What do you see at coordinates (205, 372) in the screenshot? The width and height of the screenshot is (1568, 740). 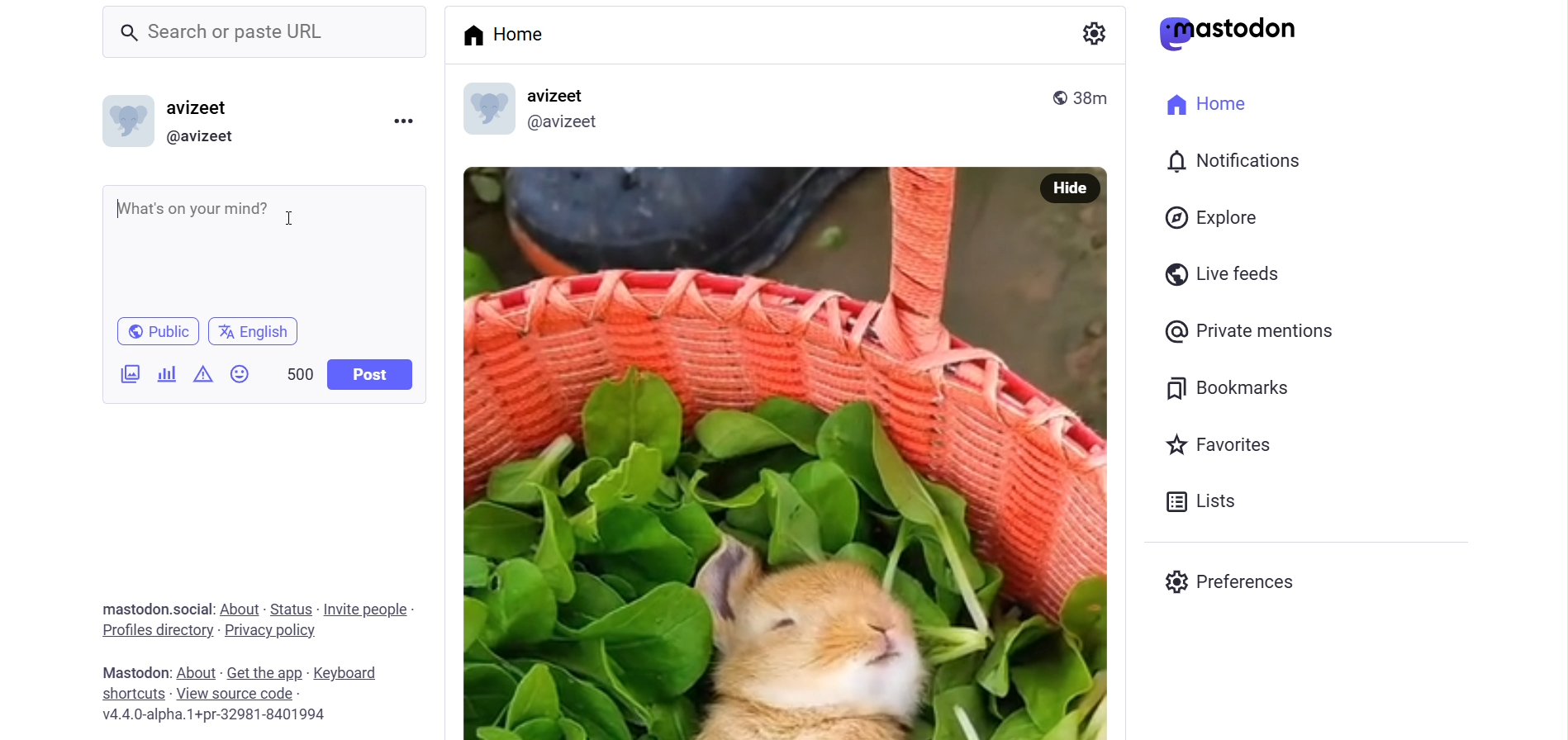 I see `Data Content` at bounding box center [205, 372].